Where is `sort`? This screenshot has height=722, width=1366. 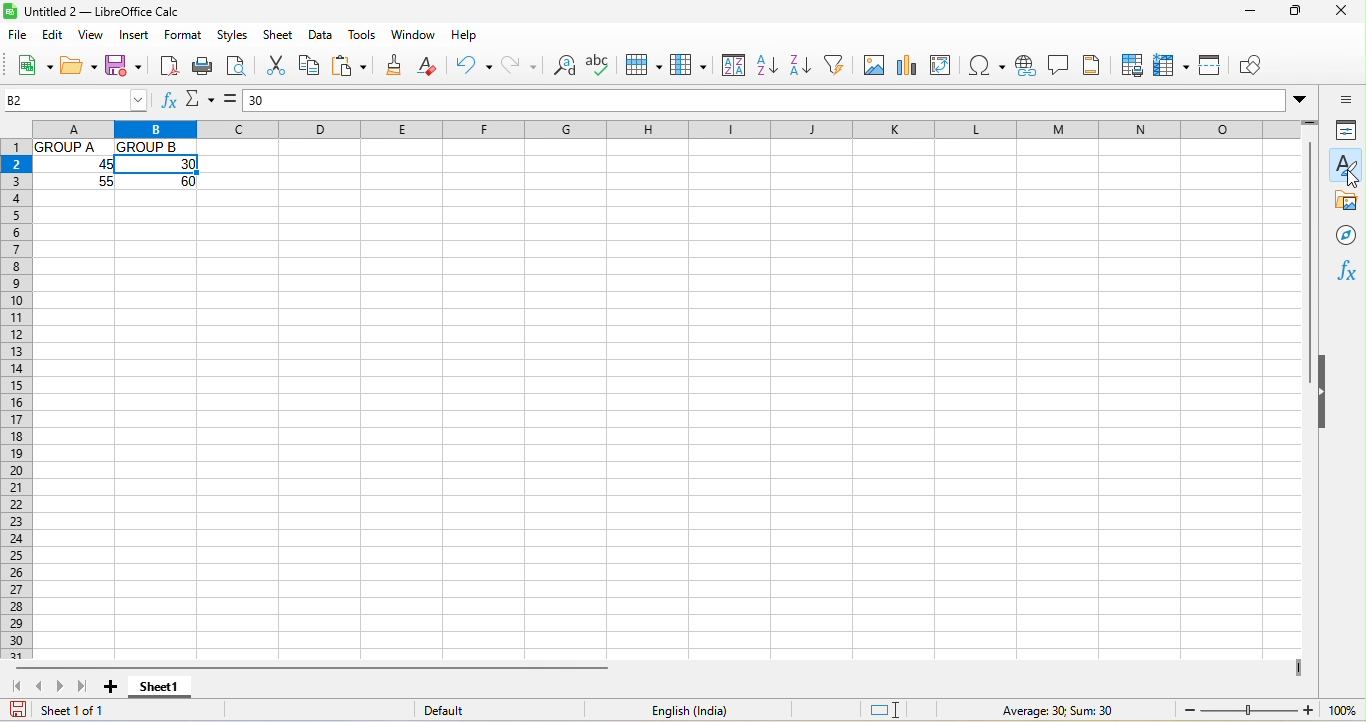 sort is located at coordinates (730, 66).